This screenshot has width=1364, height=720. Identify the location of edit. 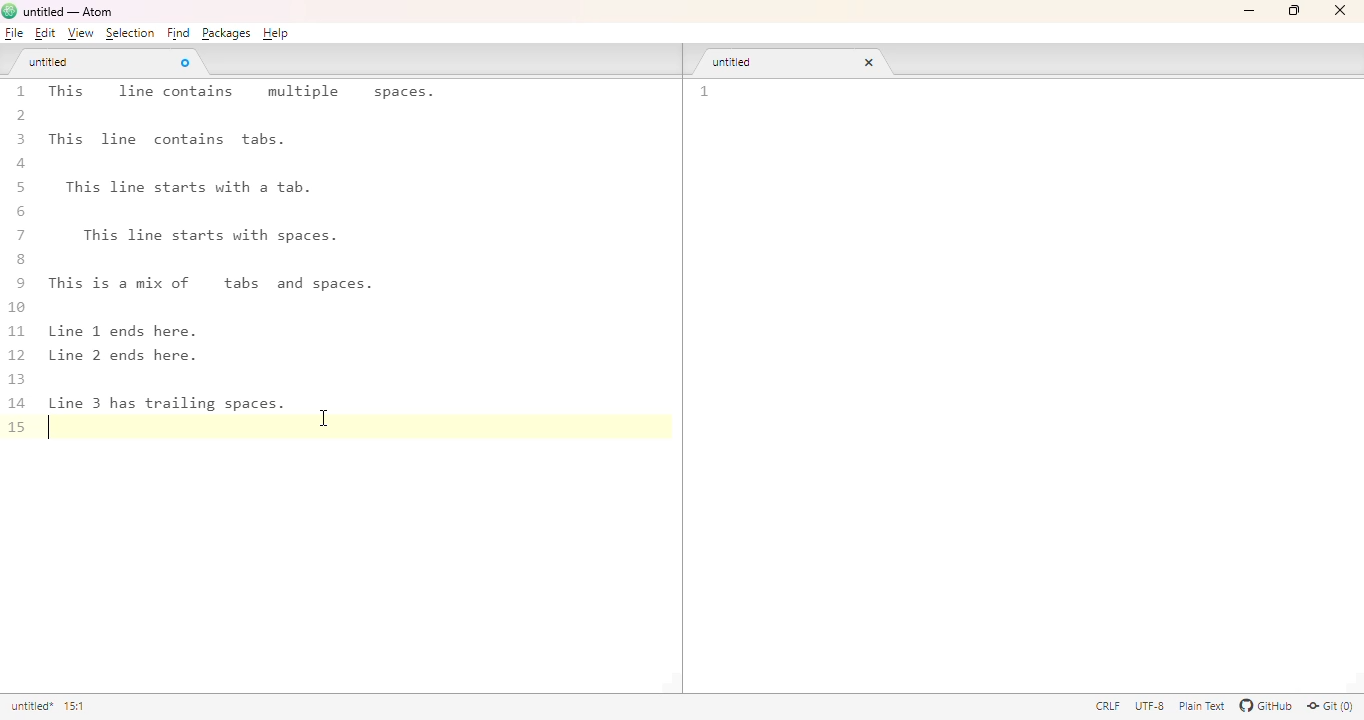
(45, 33).